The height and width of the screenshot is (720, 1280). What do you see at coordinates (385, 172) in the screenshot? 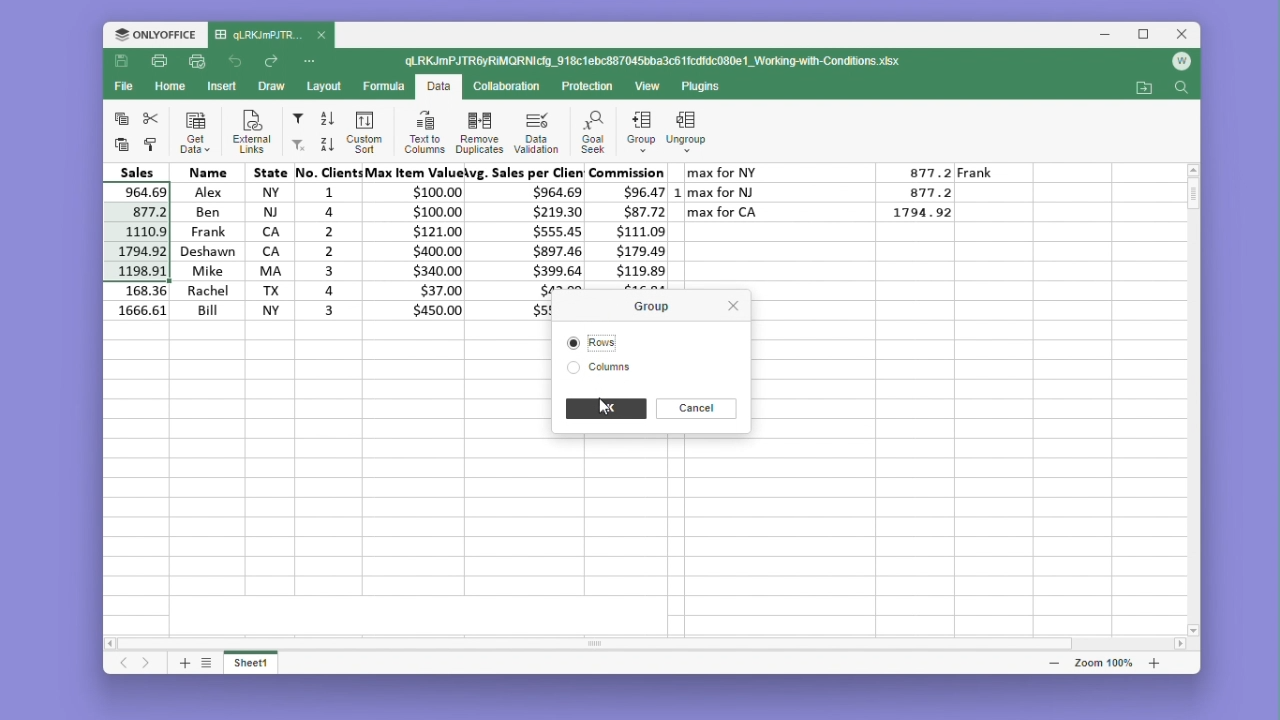
I see `Headers` at bounding box center [385, 172].